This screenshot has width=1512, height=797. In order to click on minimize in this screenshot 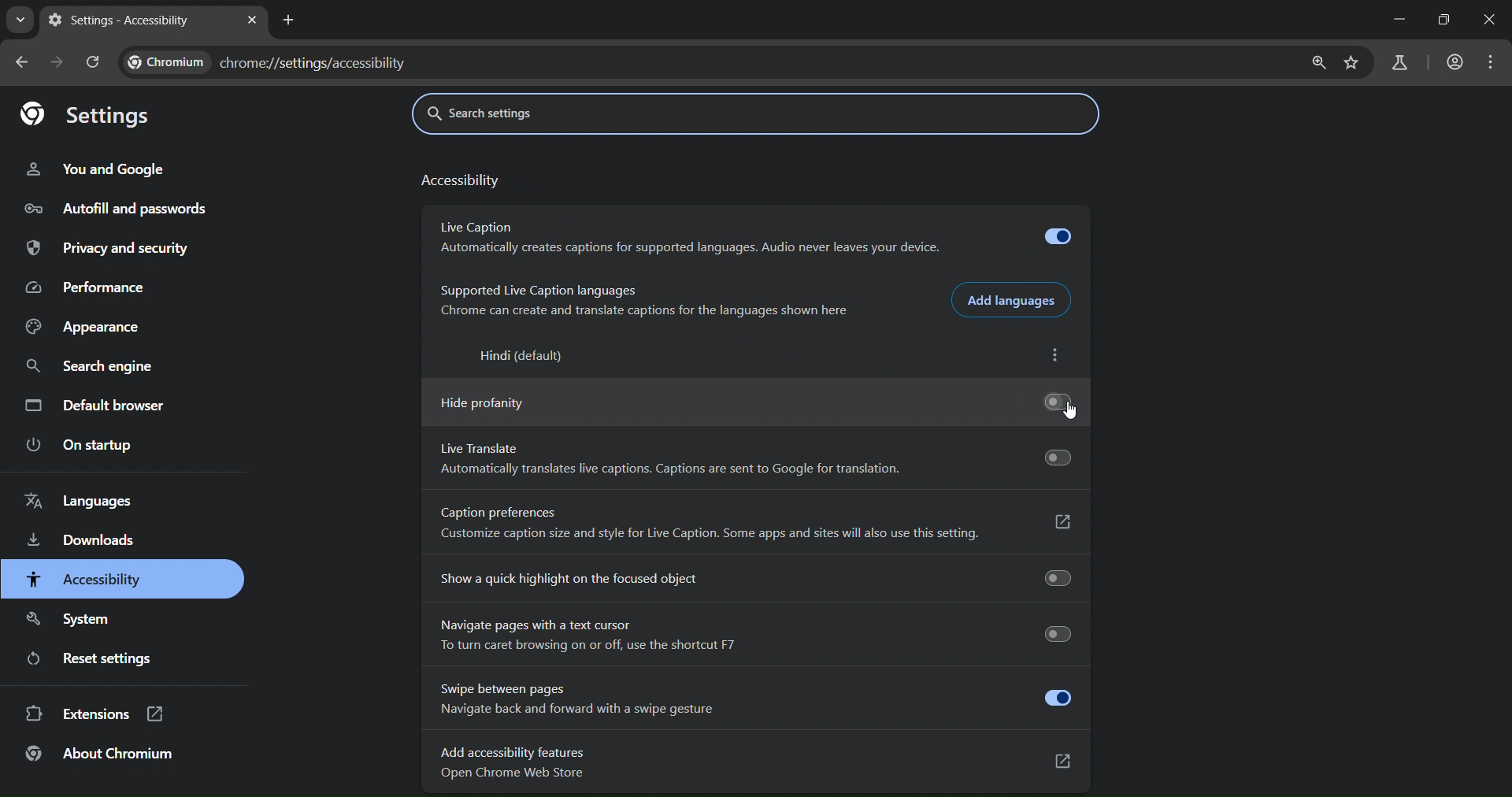, I will do `click(1403, 19)`.